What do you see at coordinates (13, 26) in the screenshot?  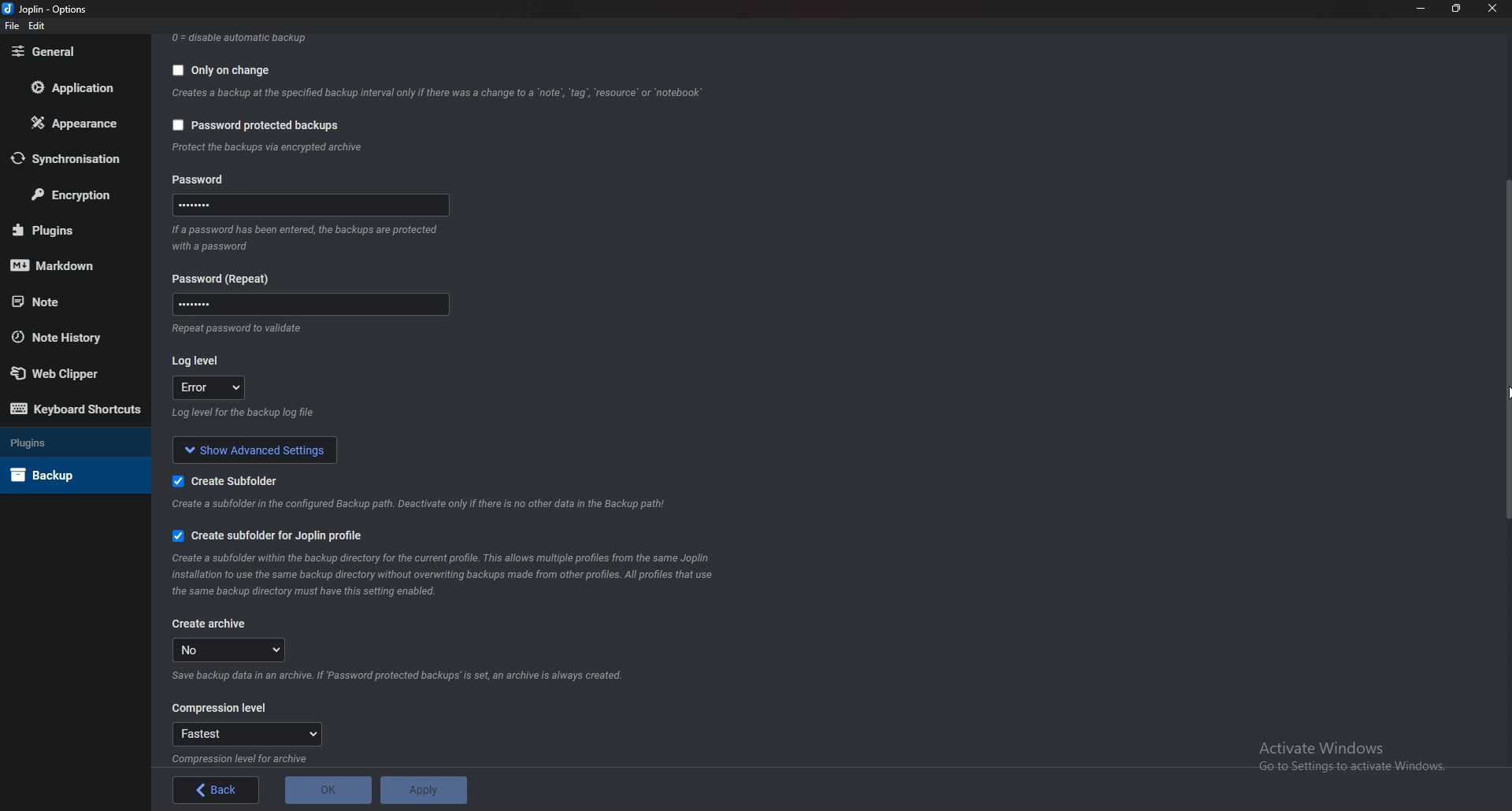 I see `file` at bounding box center [13, 26].